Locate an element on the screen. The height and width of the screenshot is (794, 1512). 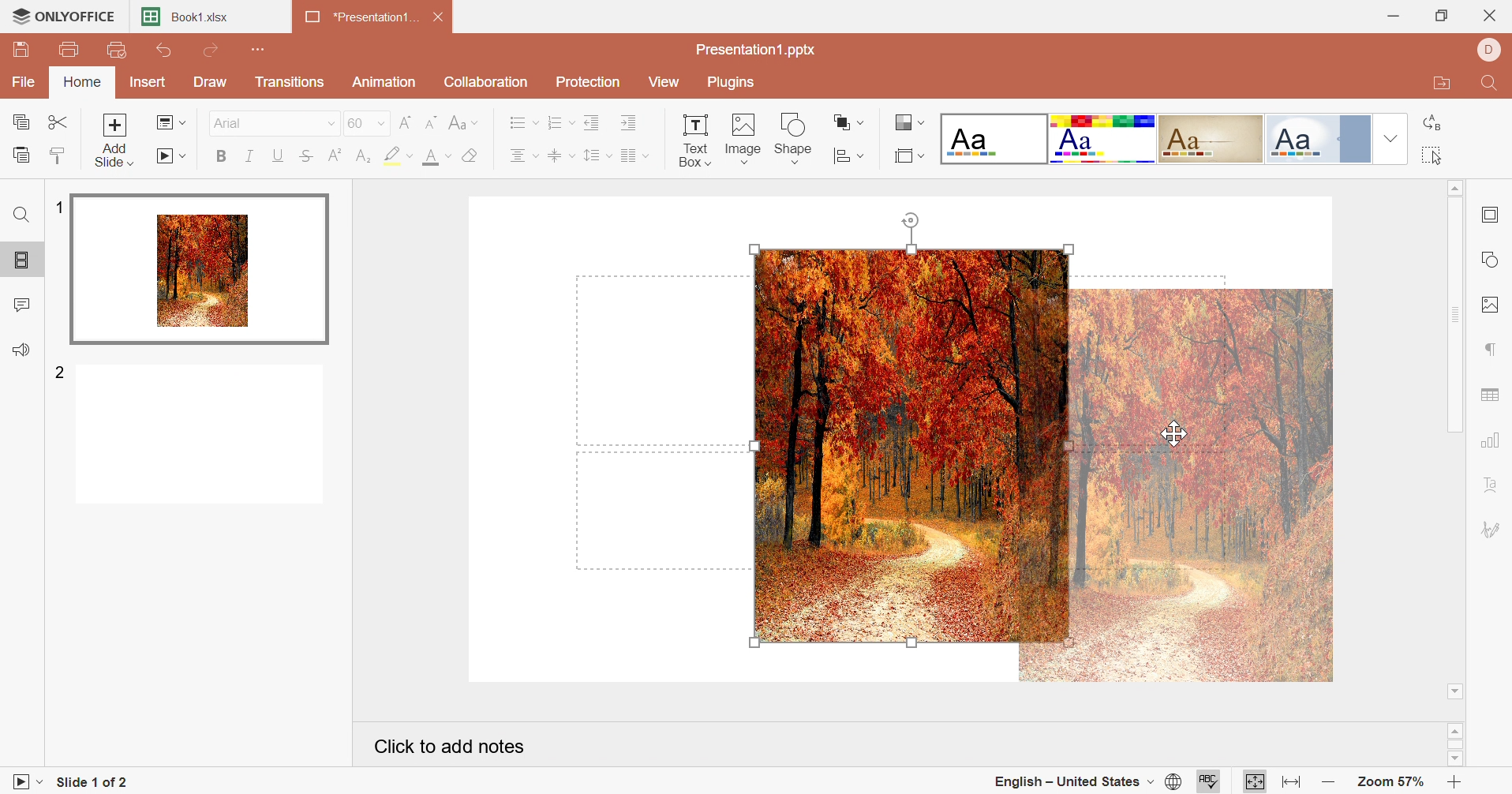
Image is located at coordinates (743, 137).